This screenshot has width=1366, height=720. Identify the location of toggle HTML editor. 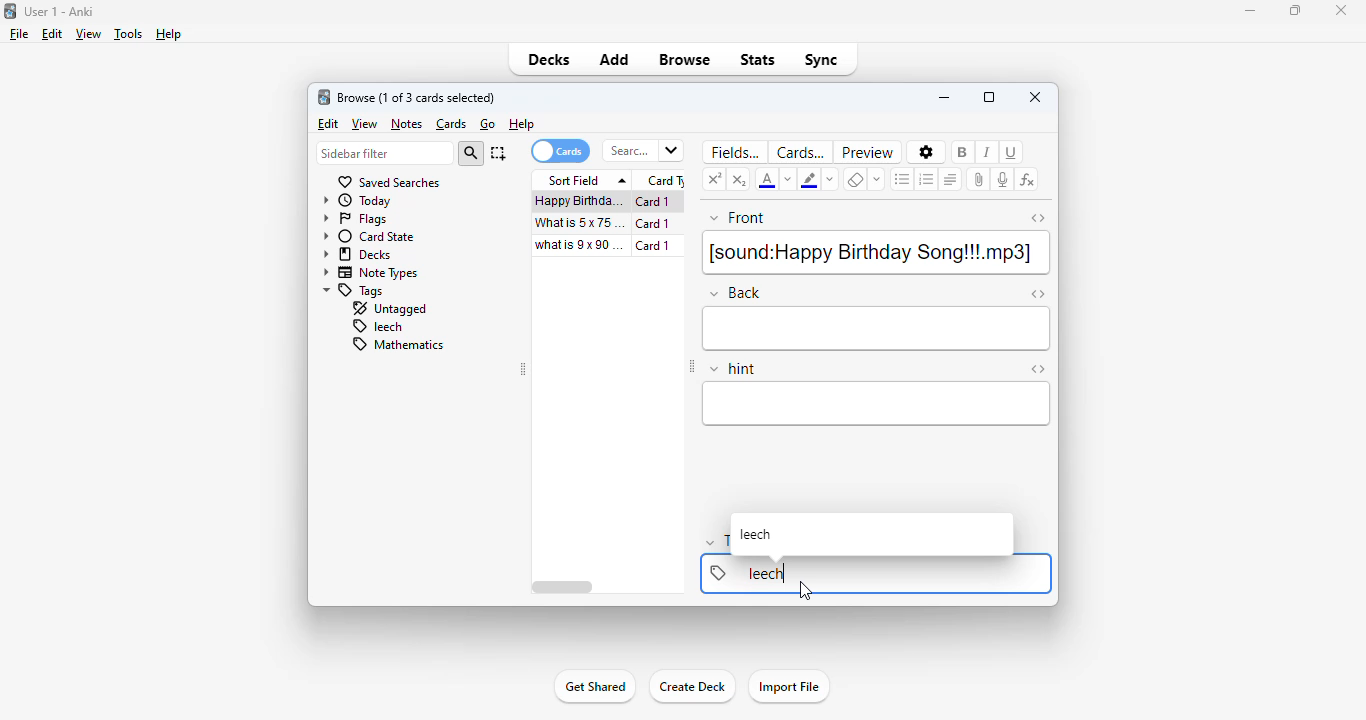
(1038, 295).